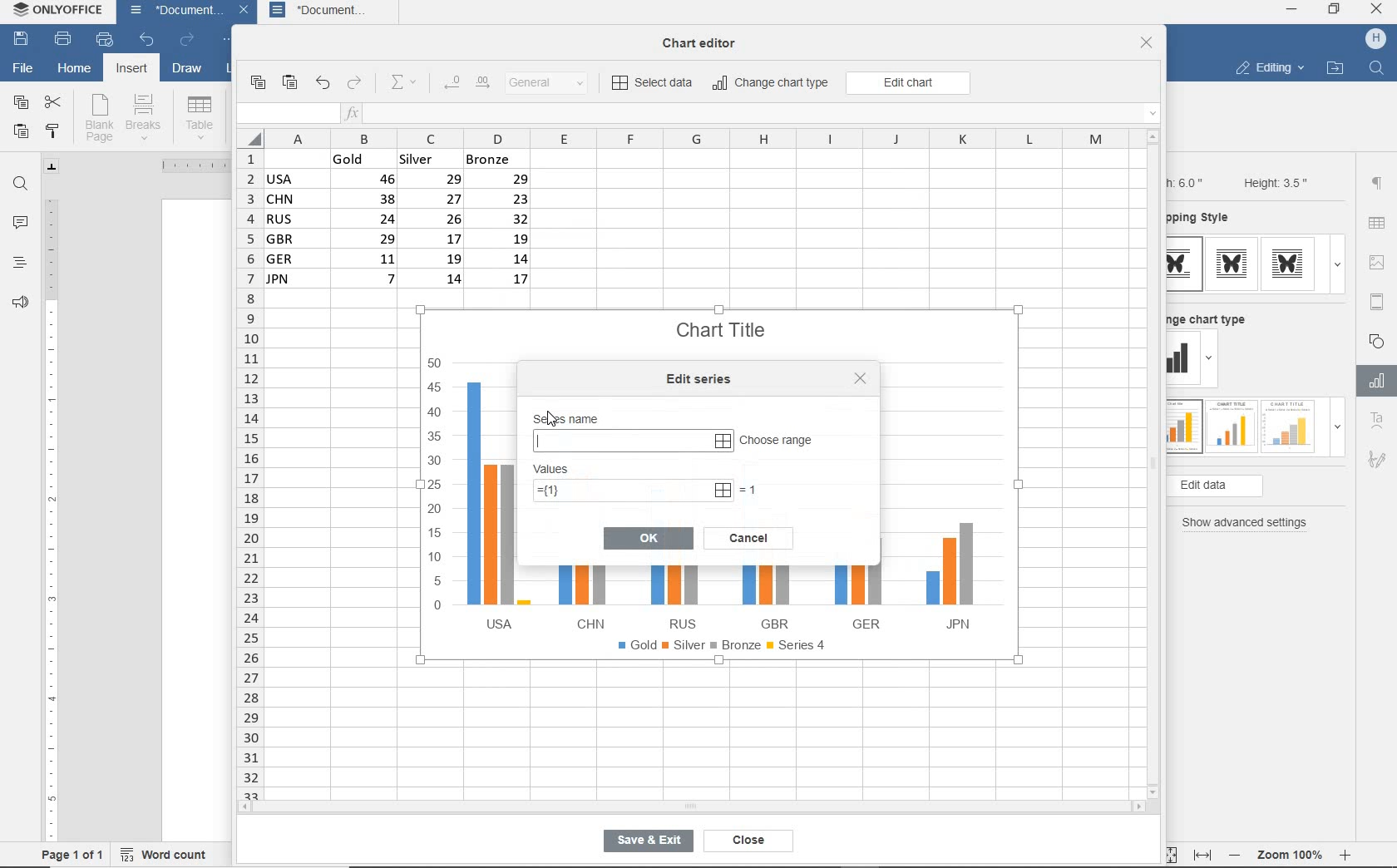  What do you see at coordinates (21, 224) in the screenshot?
I see `comments` at bounding box center [21, 224].